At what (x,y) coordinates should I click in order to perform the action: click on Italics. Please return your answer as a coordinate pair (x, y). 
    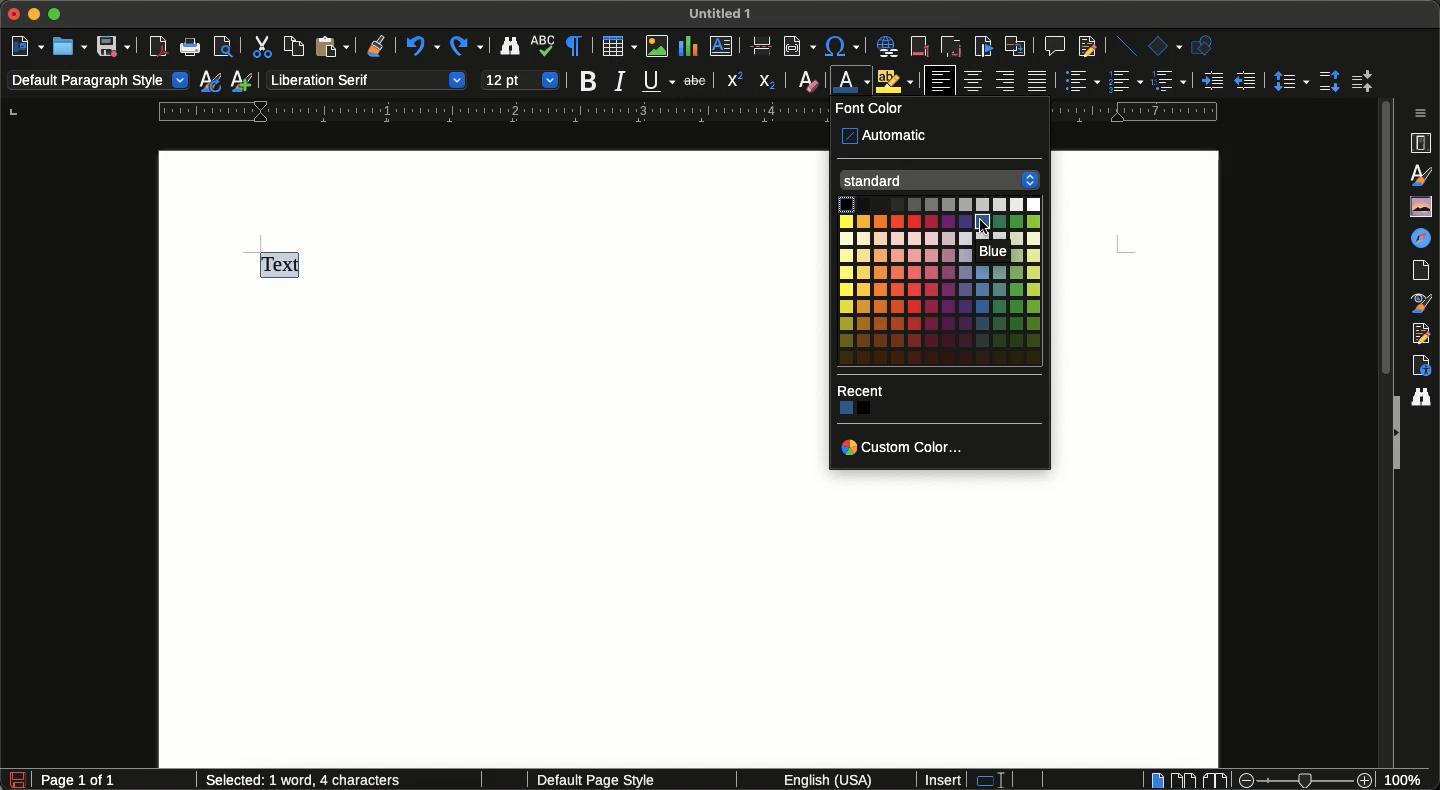
    Looking at the image, I should click on (620, 82).